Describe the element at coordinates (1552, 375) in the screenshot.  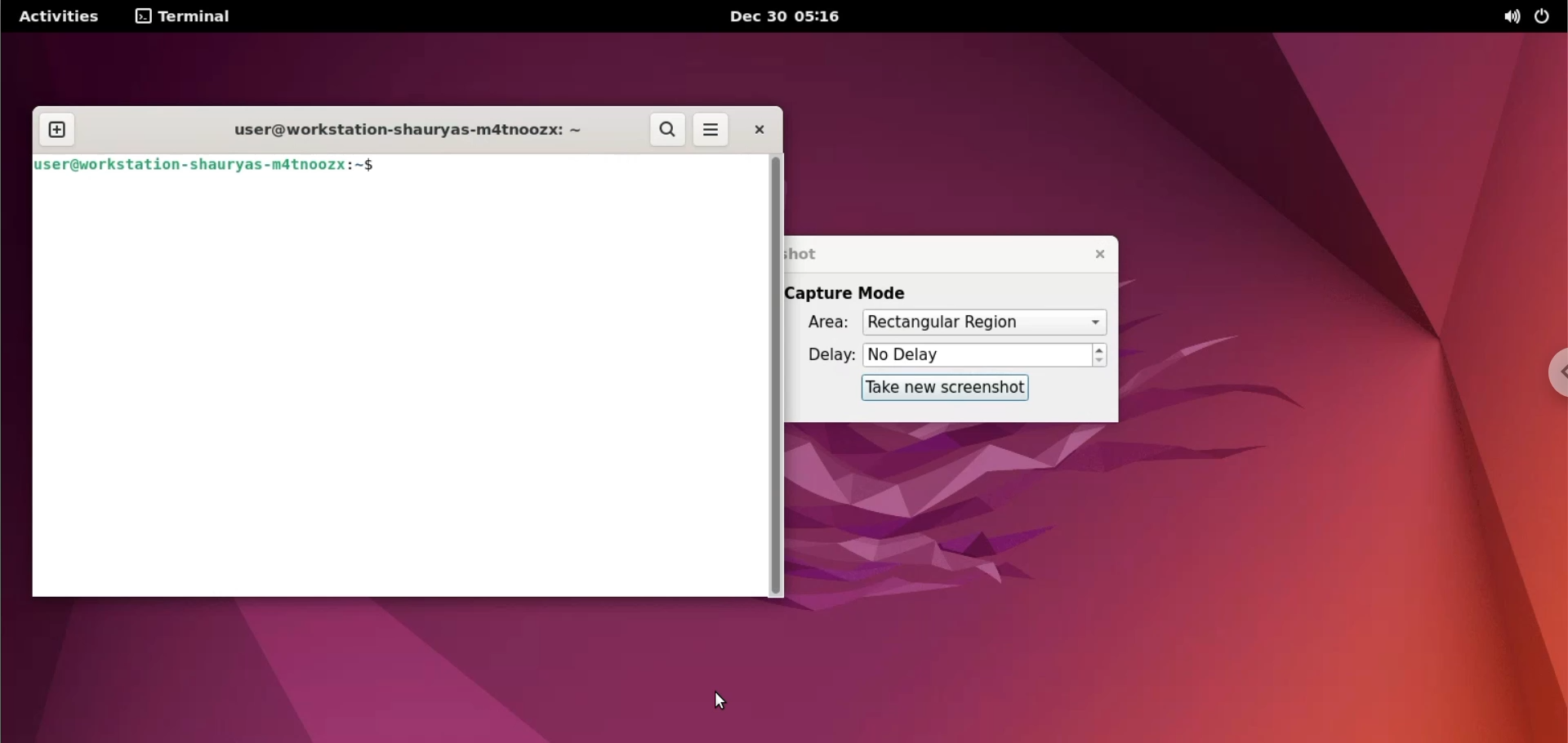
I see `chrome options` at that location.